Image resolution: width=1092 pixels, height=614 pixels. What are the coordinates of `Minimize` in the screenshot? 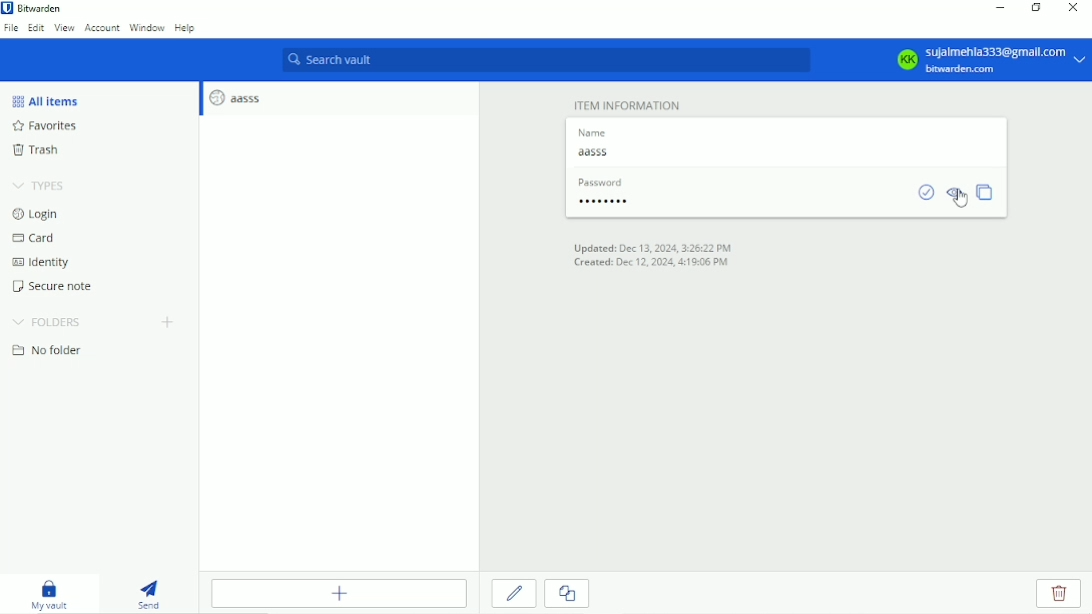 It's located at (1001, 8).